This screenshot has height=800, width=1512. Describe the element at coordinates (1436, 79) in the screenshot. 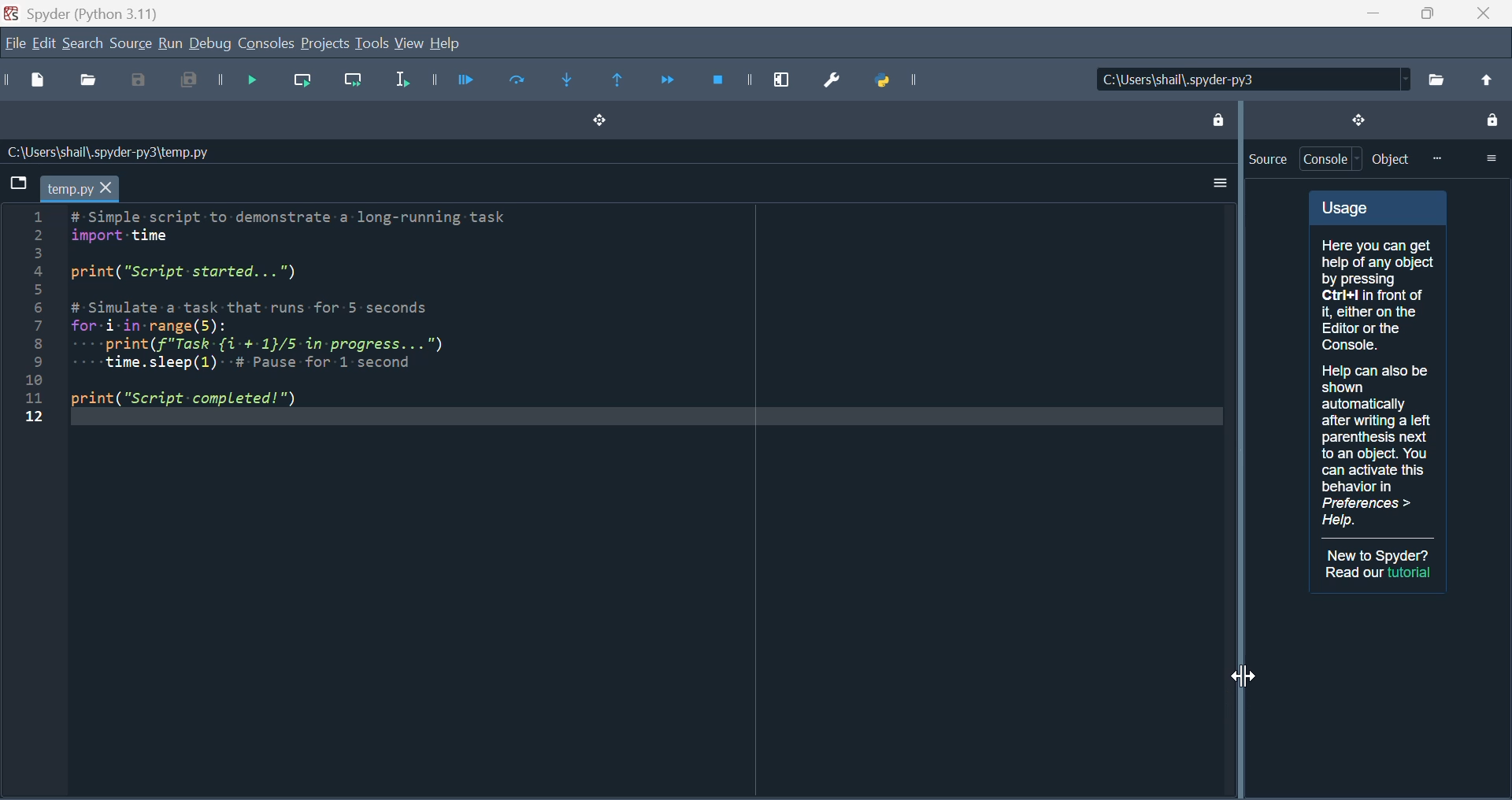

I see `browse a working directory` at that location.